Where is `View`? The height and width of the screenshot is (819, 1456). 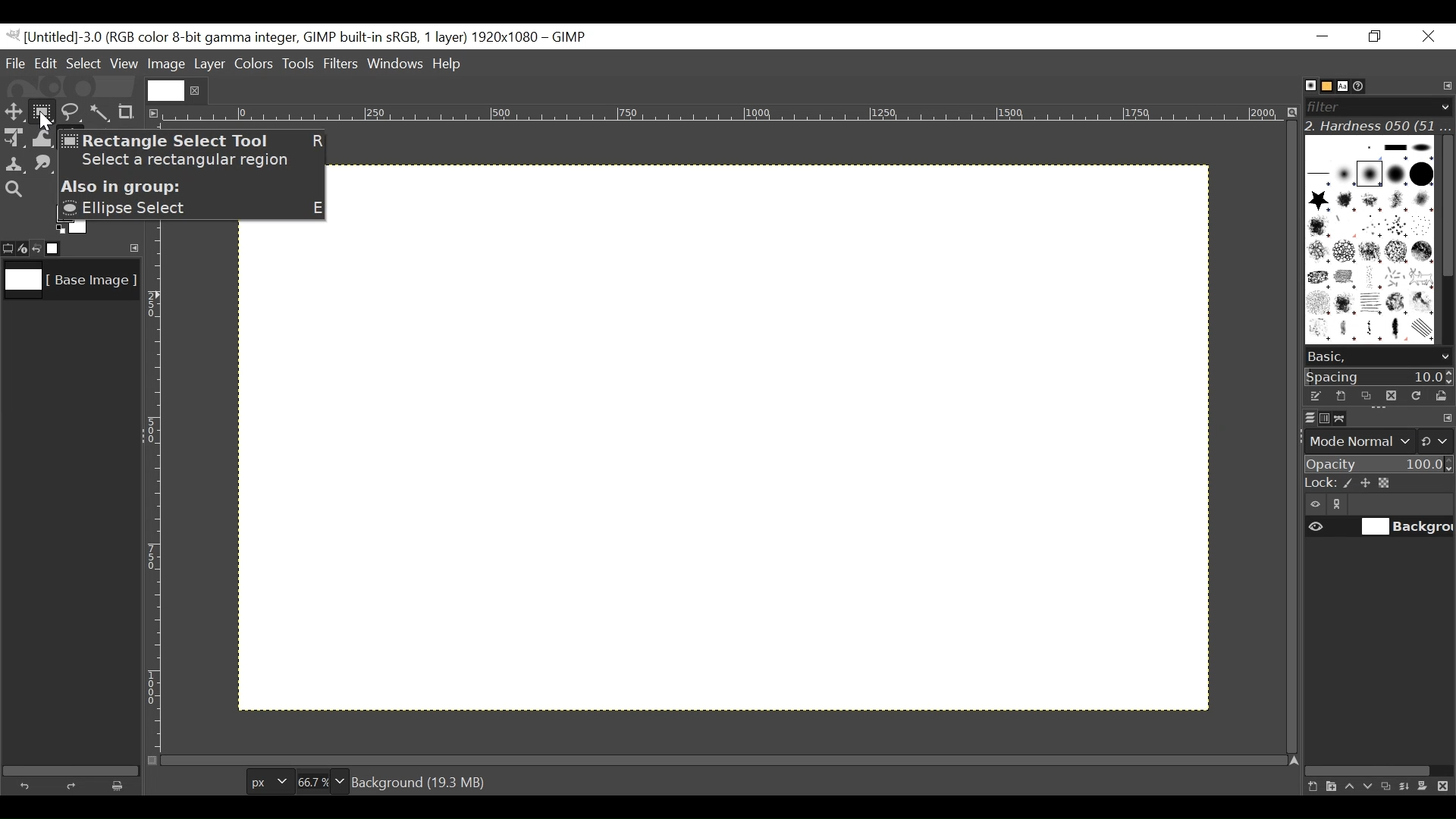 View is located at coordinates (124, 64).